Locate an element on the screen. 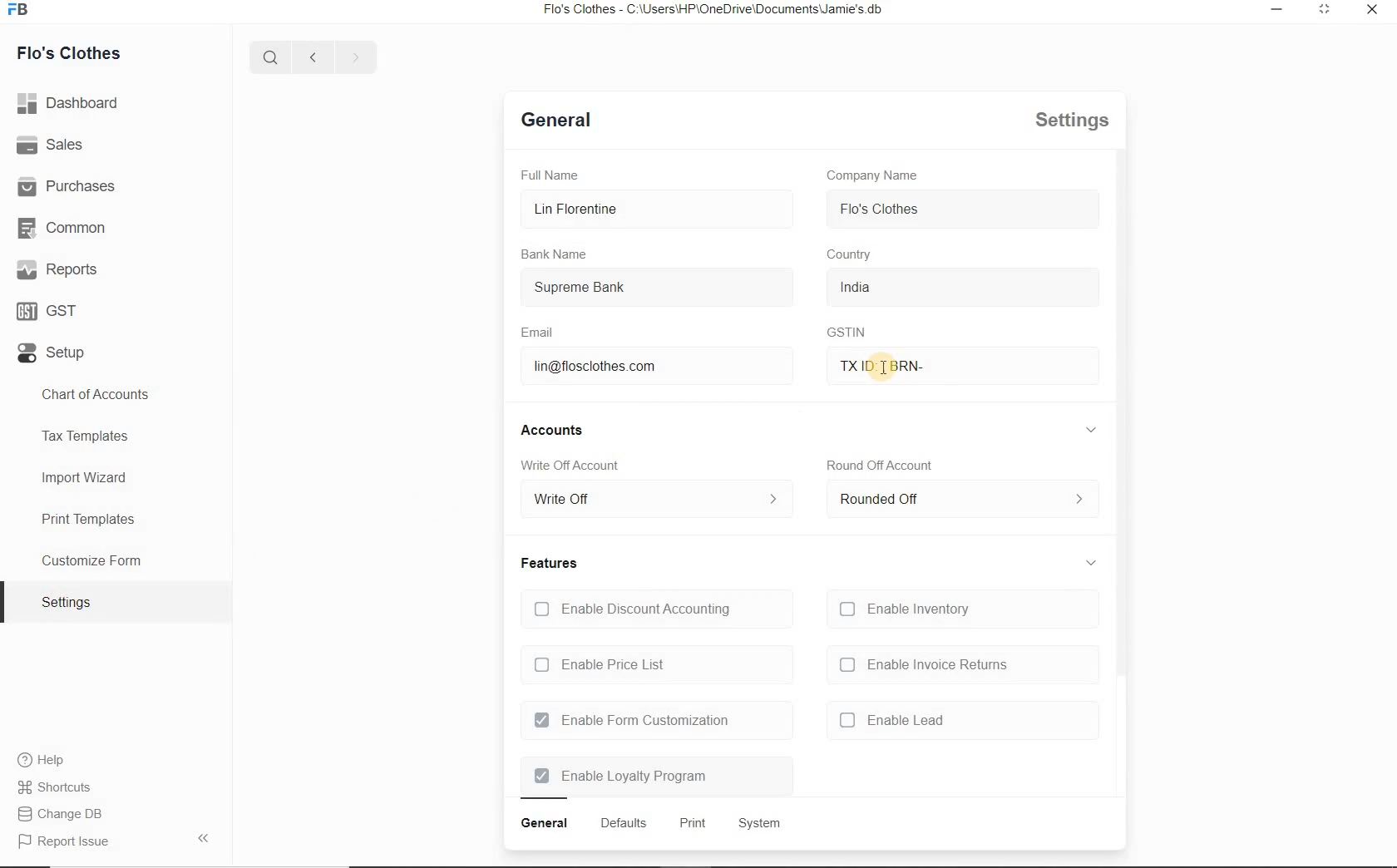 Image resolution: width=1397 pixels, height=868 pixels. country is located at coordinates (852, 255).